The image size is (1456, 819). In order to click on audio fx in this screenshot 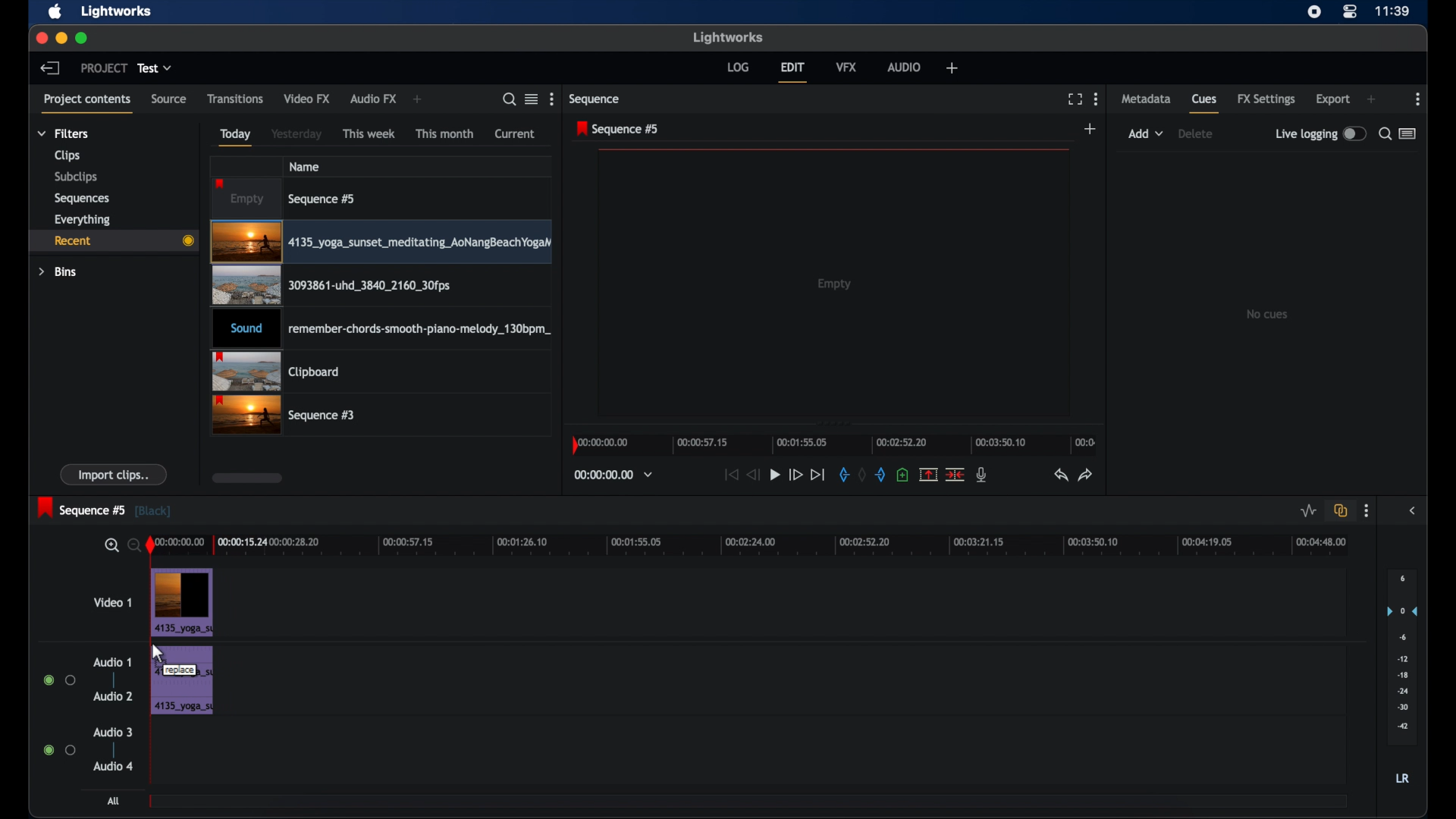, I will do `click(372, 99)`.